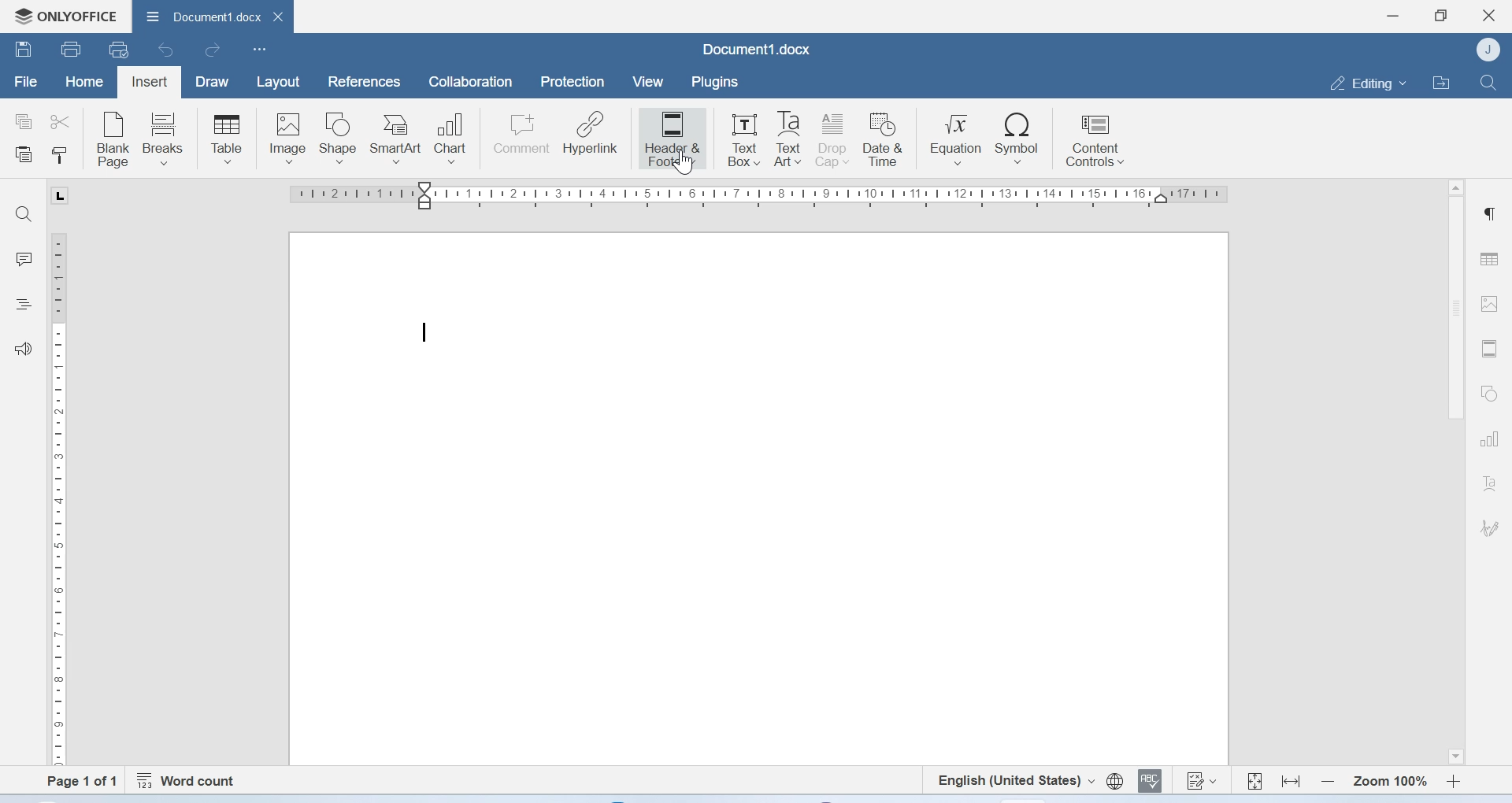 The height and width of the screenshot is (803, 1512). Describe the element at coordinates (213, 18) in the screenshot. I see `Document1.docx` at that location.